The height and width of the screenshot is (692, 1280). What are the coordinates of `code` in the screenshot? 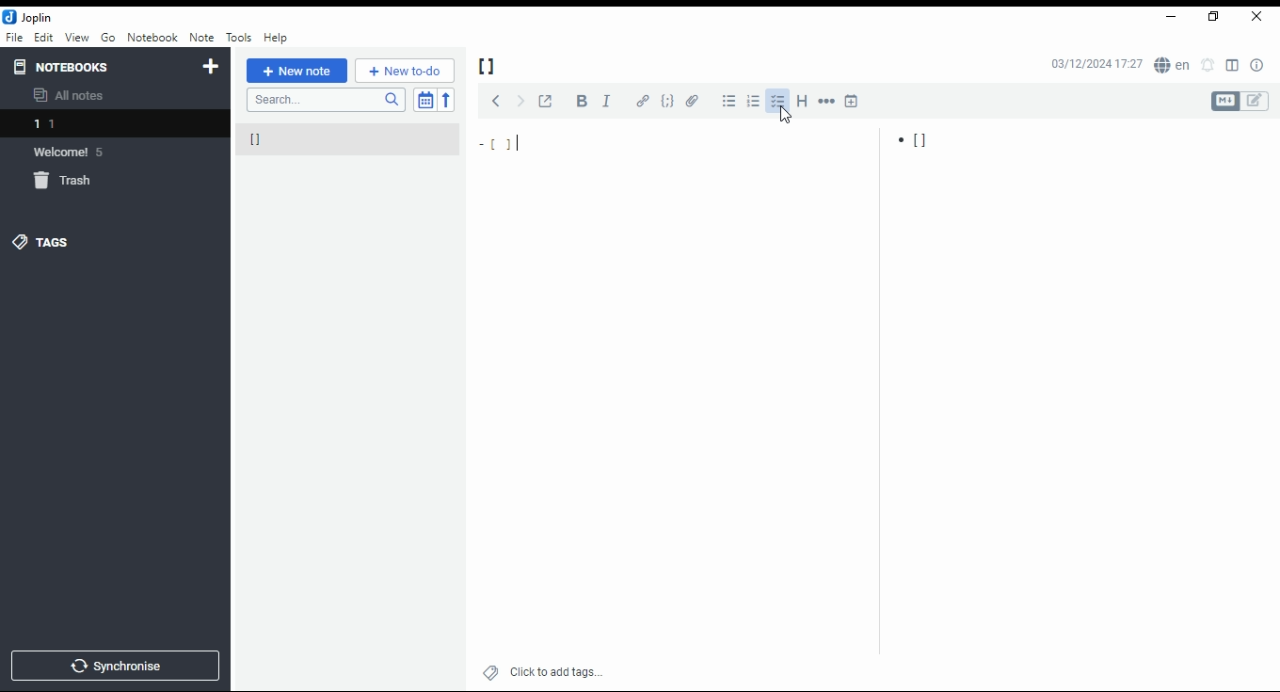 It's located at (668, 102).